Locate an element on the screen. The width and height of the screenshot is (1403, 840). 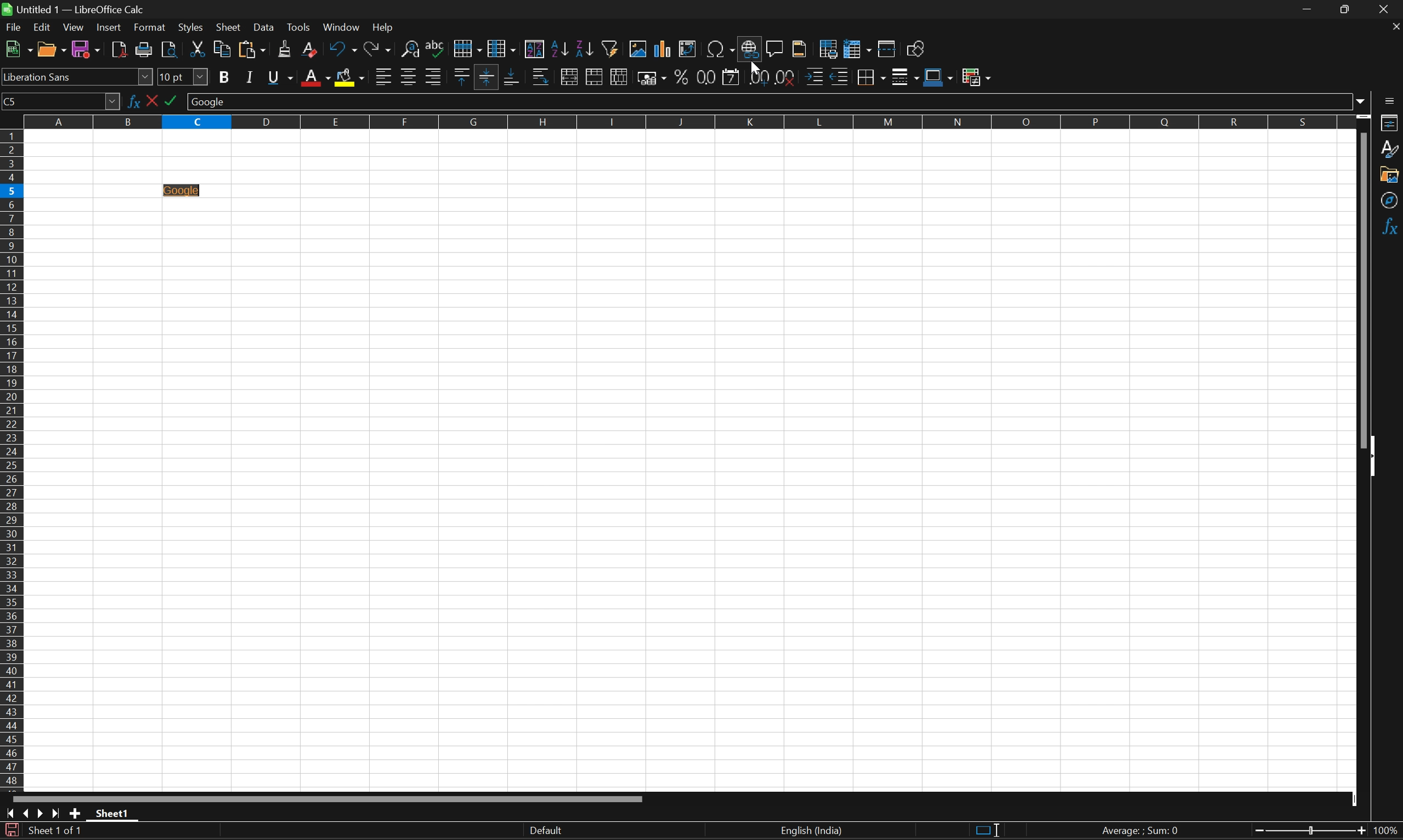
Align vertically is located at coordinates (487, 76).